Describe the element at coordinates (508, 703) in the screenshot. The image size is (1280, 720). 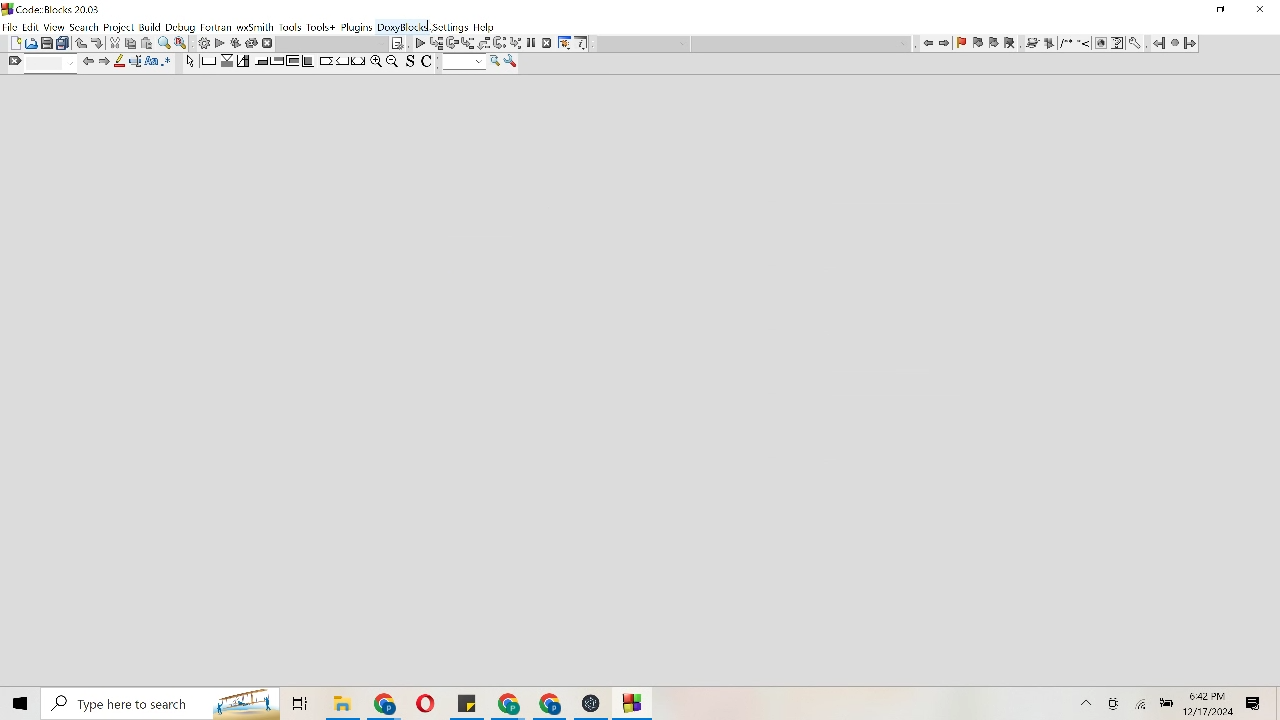
I see `File` at that location.